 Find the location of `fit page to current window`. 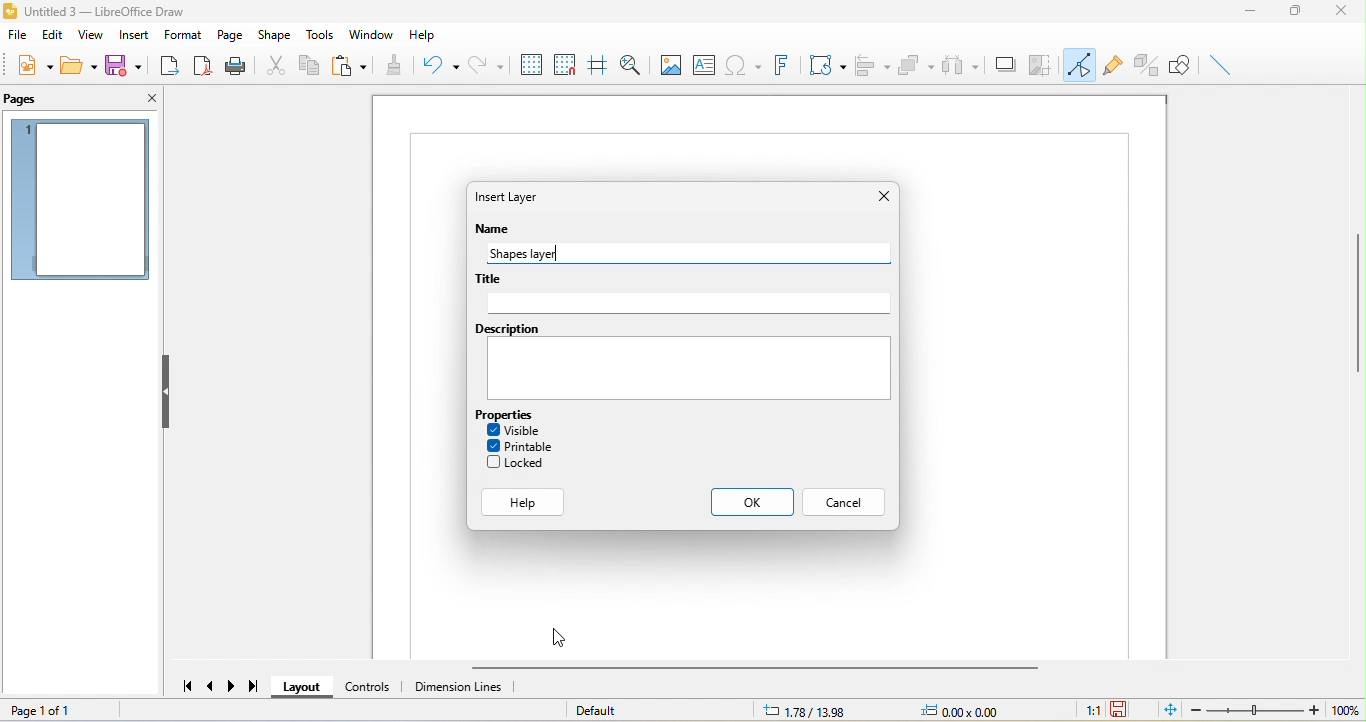

fit page to current window is located at coordinates (1167, 711).